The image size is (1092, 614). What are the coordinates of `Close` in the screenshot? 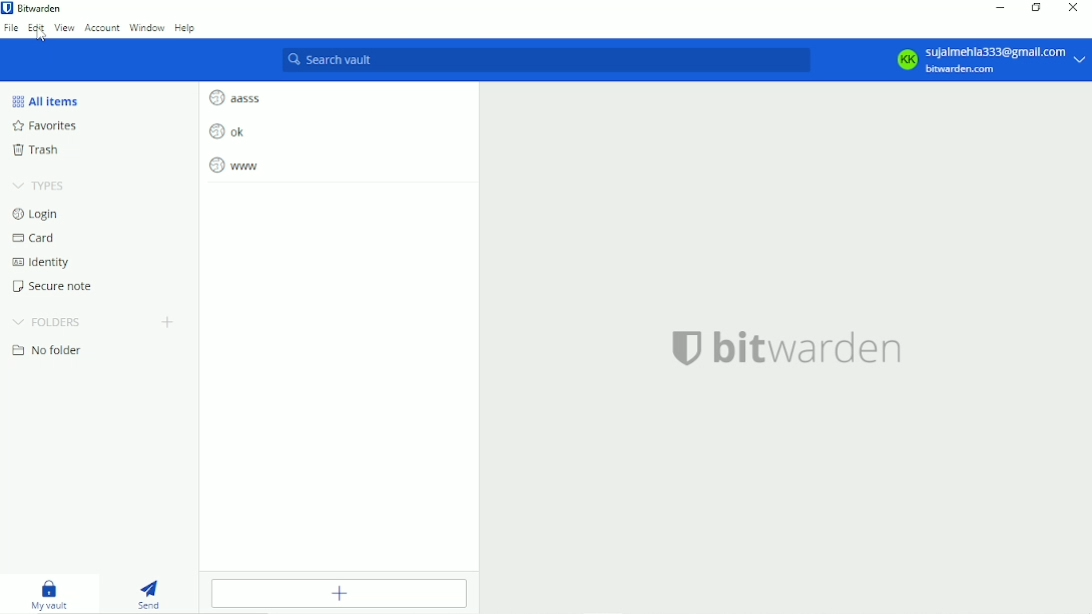 It's located at (1074, 9).